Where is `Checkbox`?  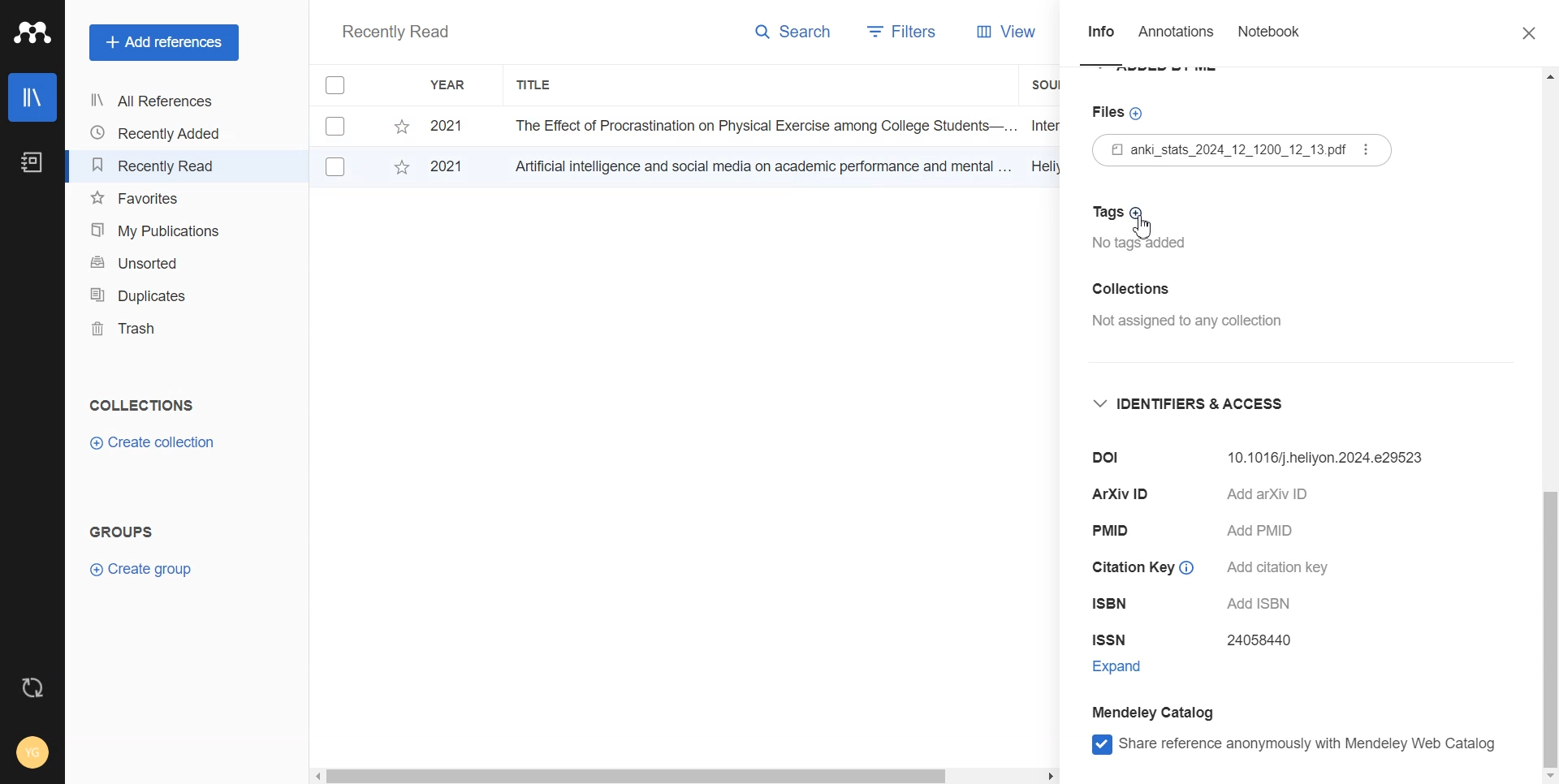 Checkbox is located at coordinates (339, 125).